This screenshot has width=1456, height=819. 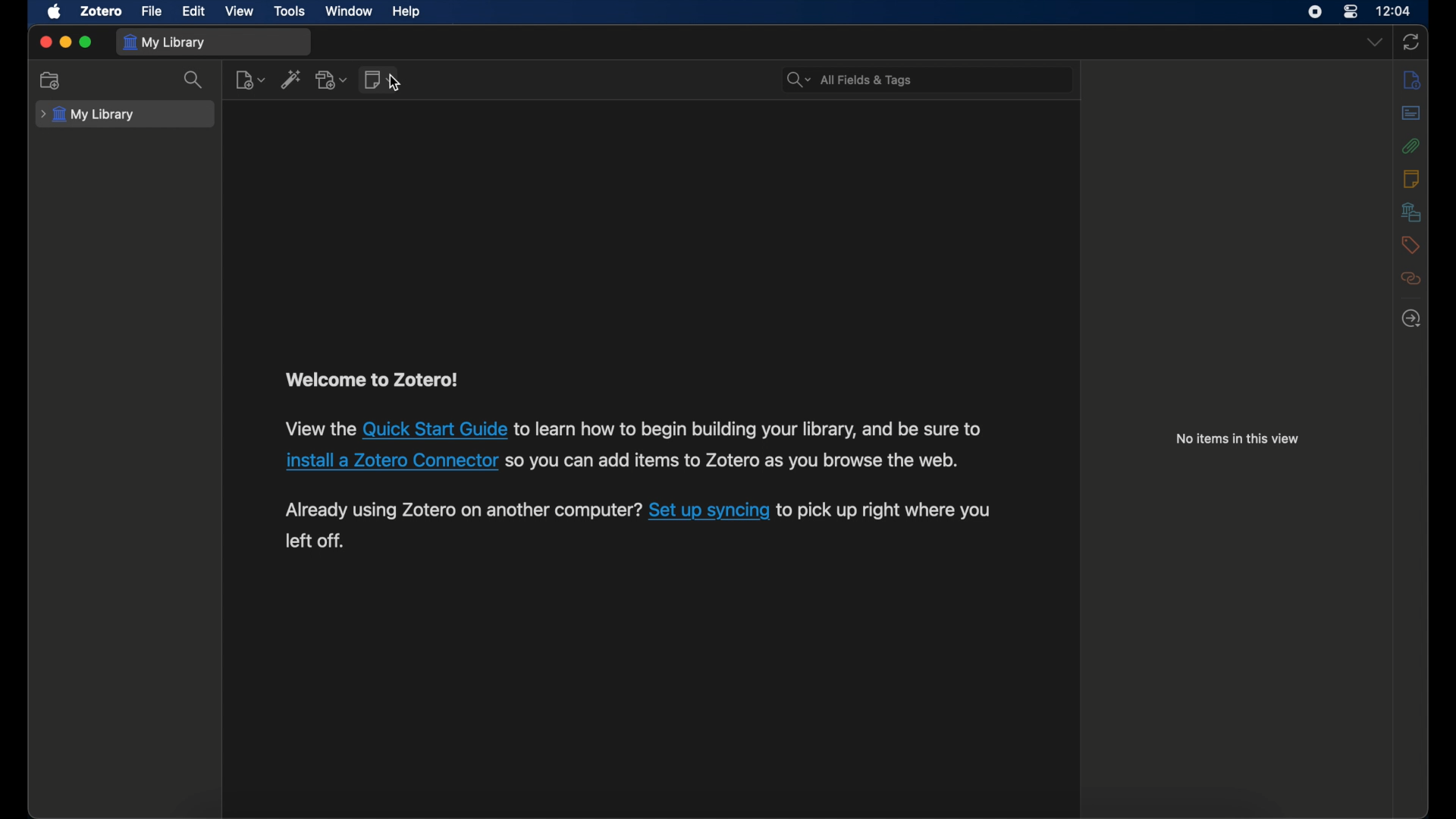 What do you see at coordinates (1393, 11) in the screenshot?
I see `time` at bounding box center [1393, 11].